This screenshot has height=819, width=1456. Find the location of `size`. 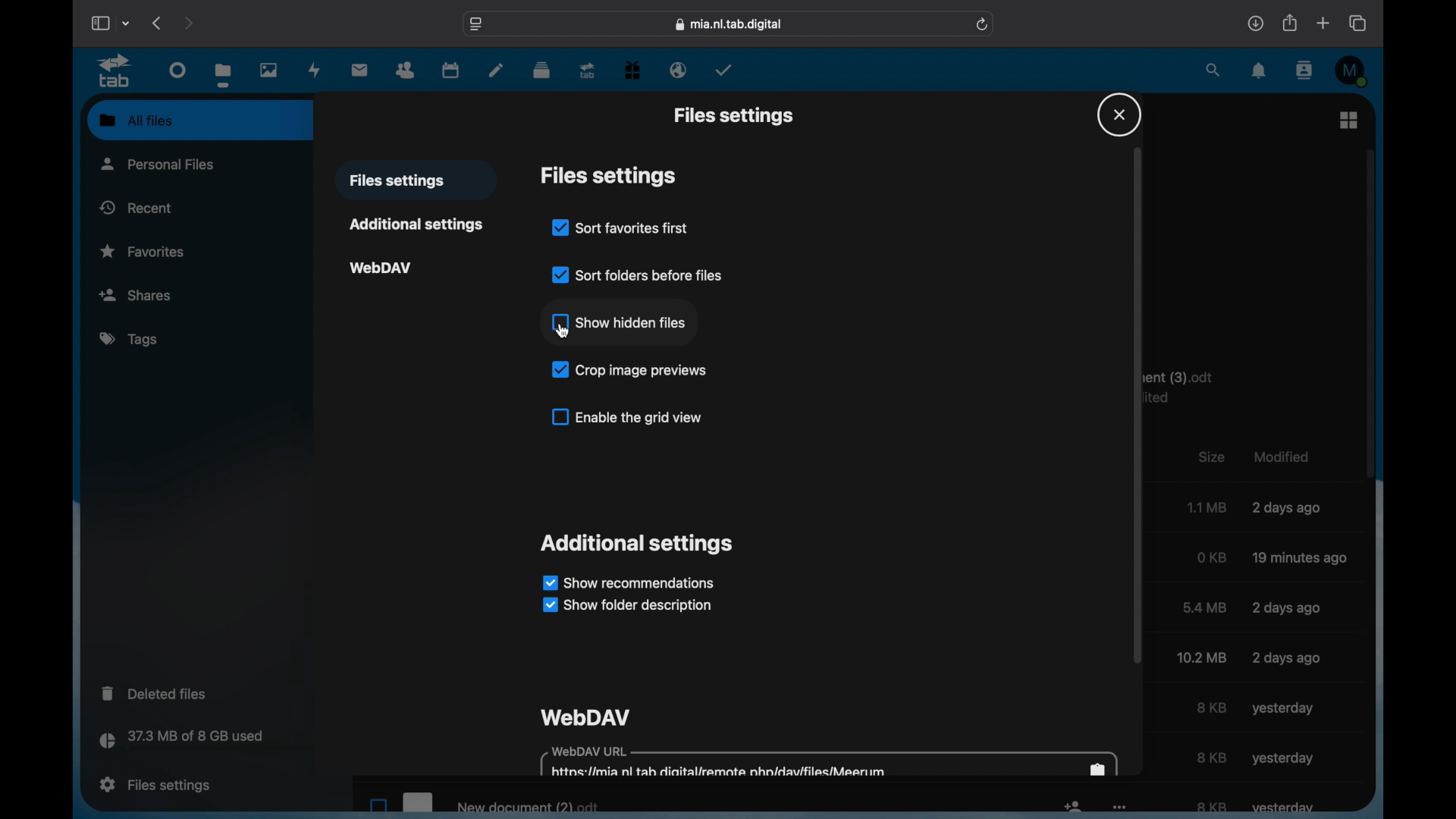

size is located at coordinates (1213, 807).